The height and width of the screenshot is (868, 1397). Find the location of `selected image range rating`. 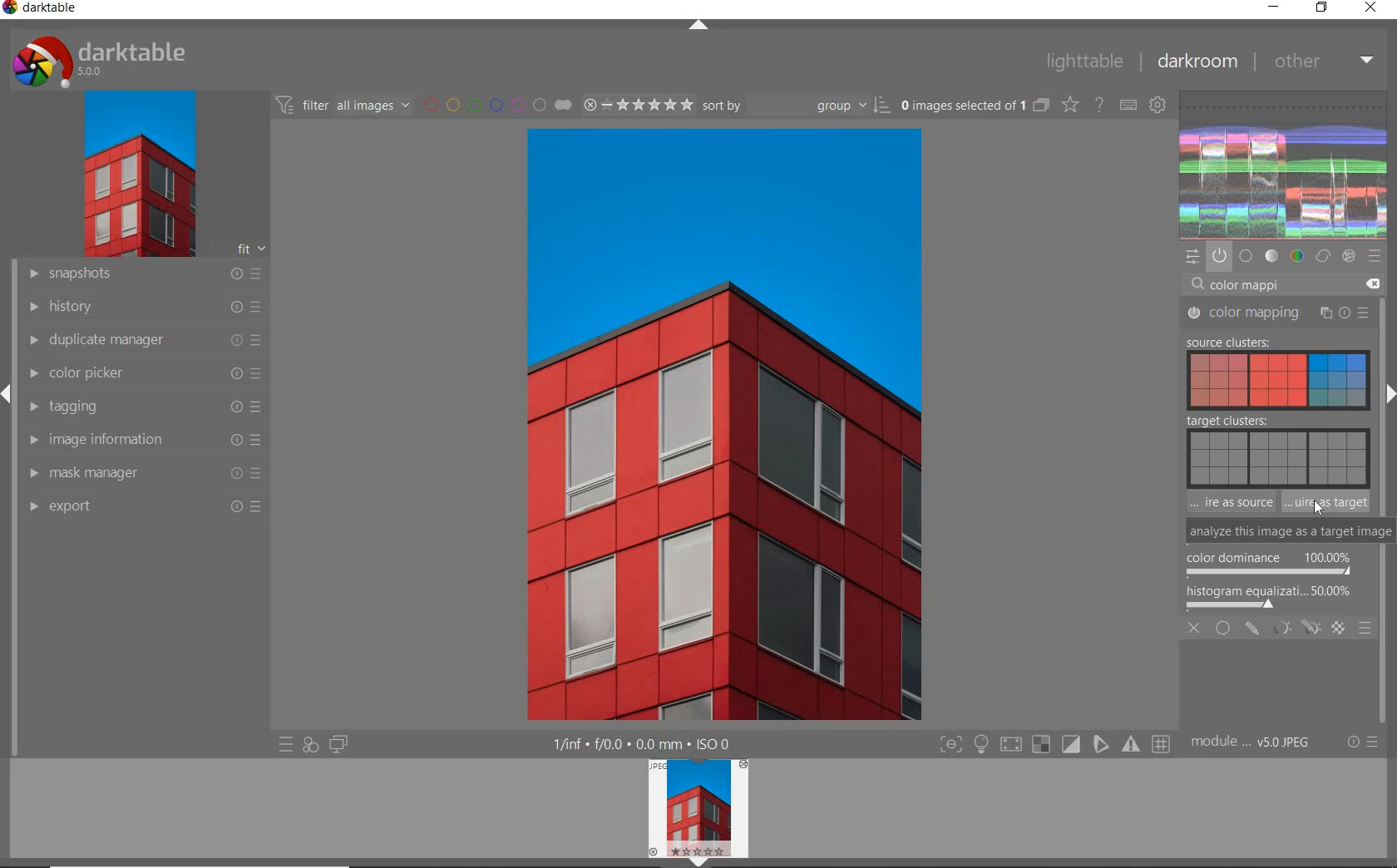

selected image range rating is located at coordinates (636, 104).